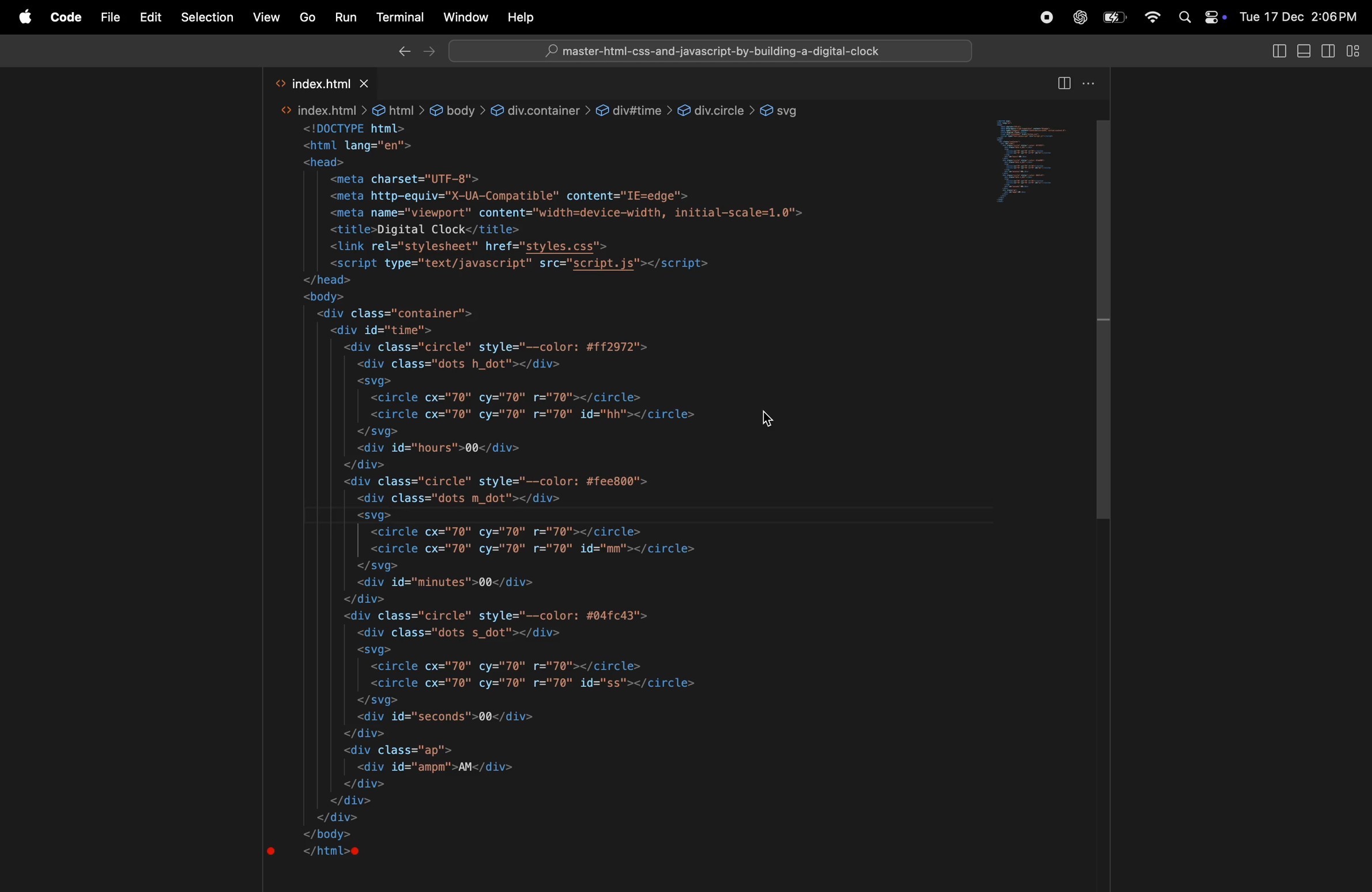  What do you see at coordinates (1213, 17) in the screenshot?
I see `Control center` at bounding box center [1213, 17].